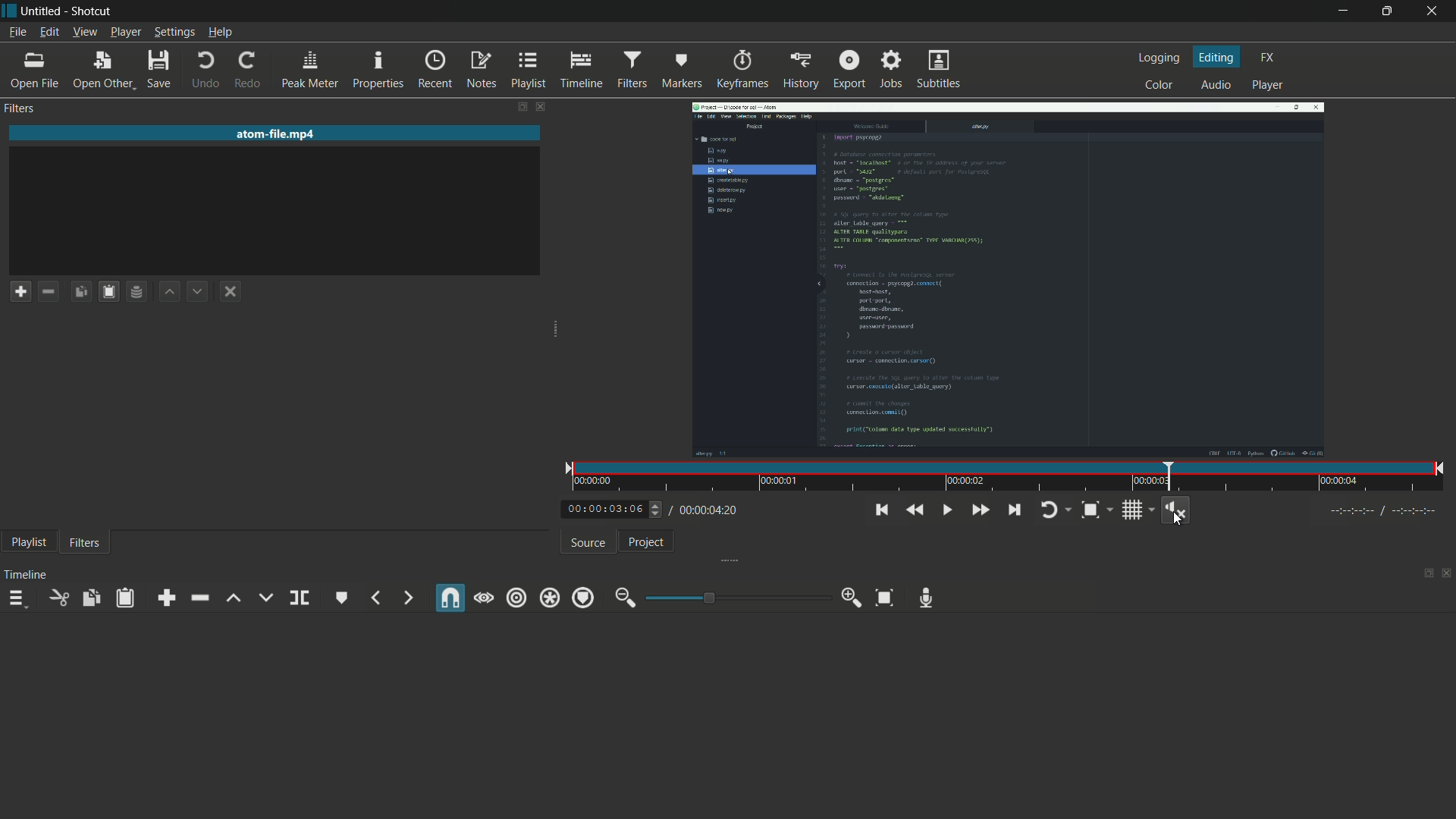 The image size is (1456, 819). Describe the element at coordinates (197, 598) in the screenshot. I see `delete ripple` at that location.